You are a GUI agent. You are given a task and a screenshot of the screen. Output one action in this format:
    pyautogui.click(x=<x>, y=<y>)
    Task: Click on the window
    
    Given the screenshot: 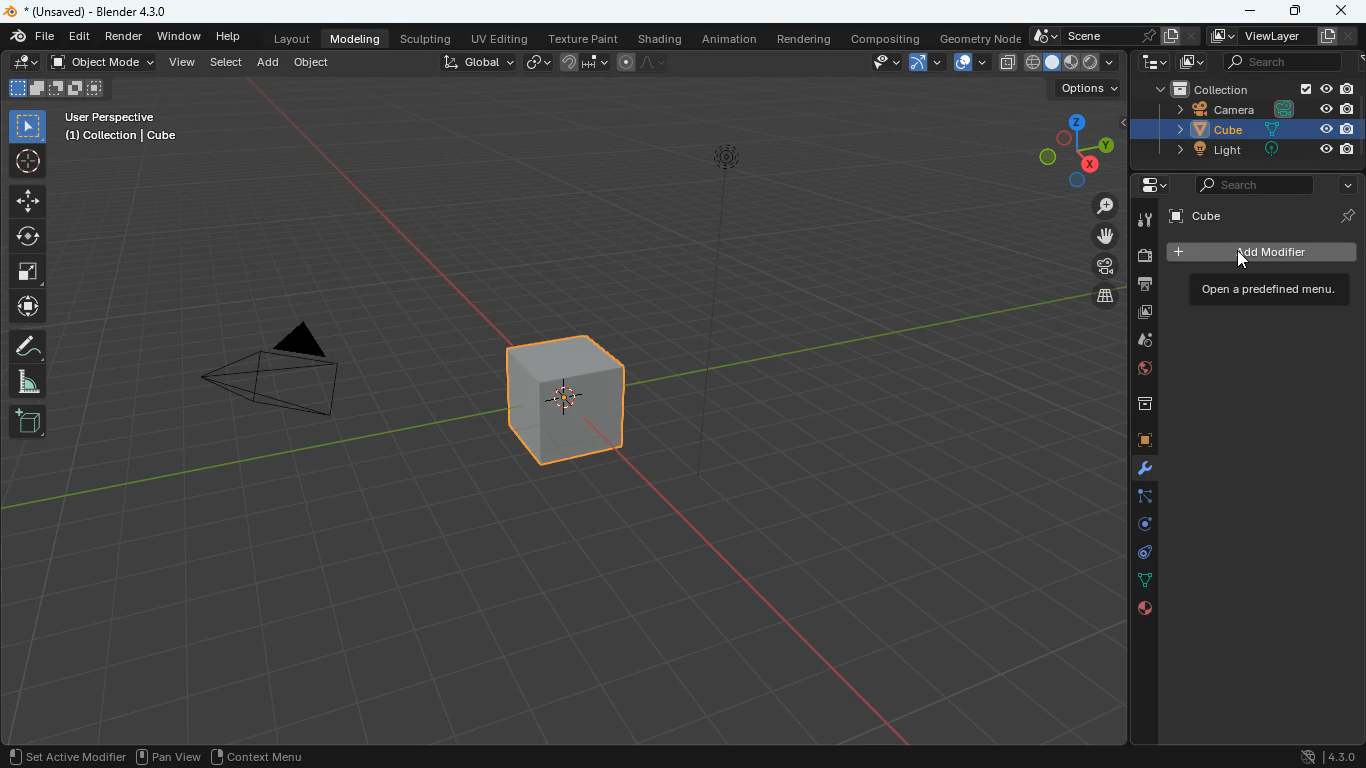 What is the action you would take?
    pyautogui.click(x=181, y=37)
    